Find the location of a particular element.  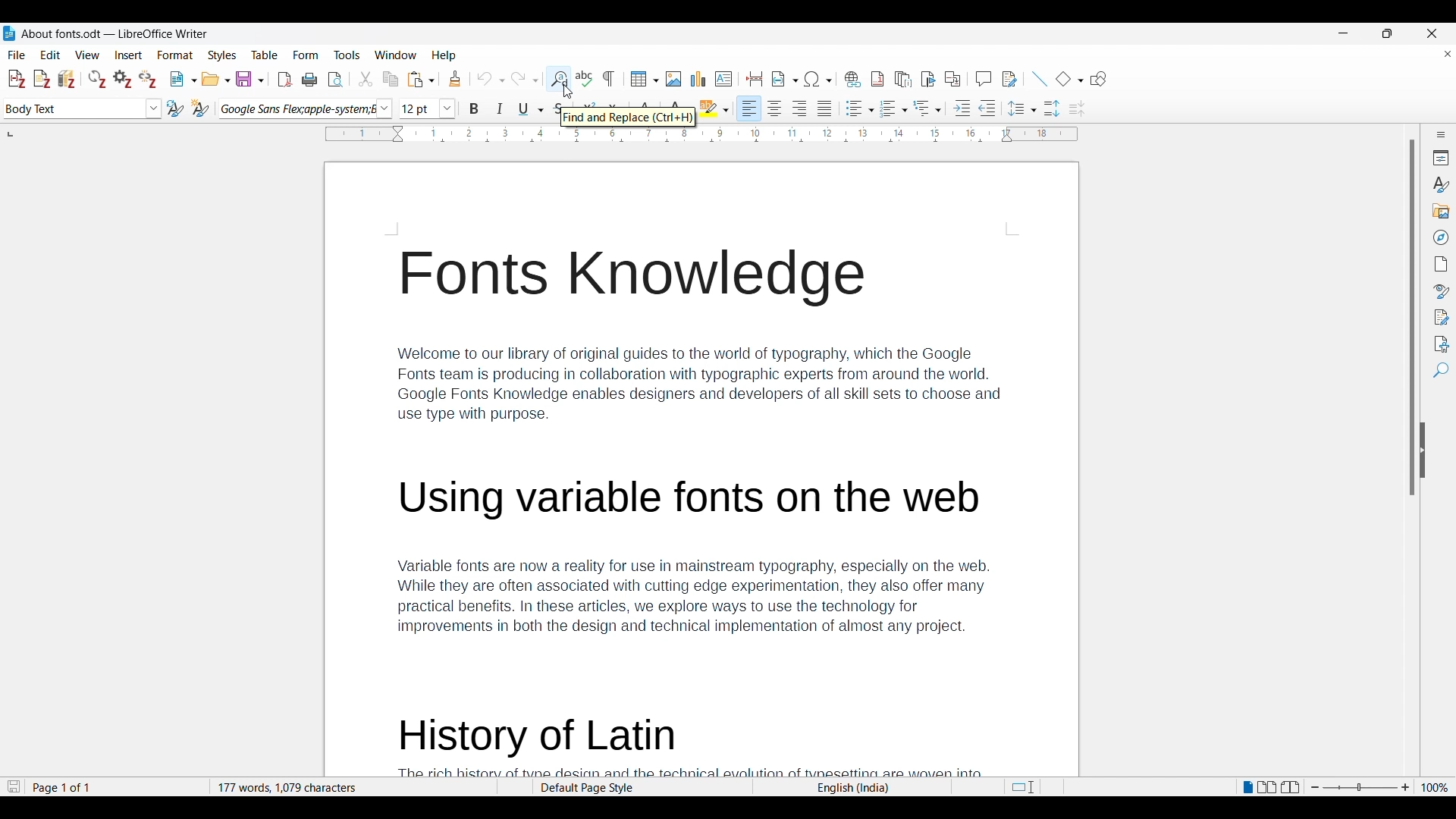

Basic shape options is located at coordinates (1069, 79).